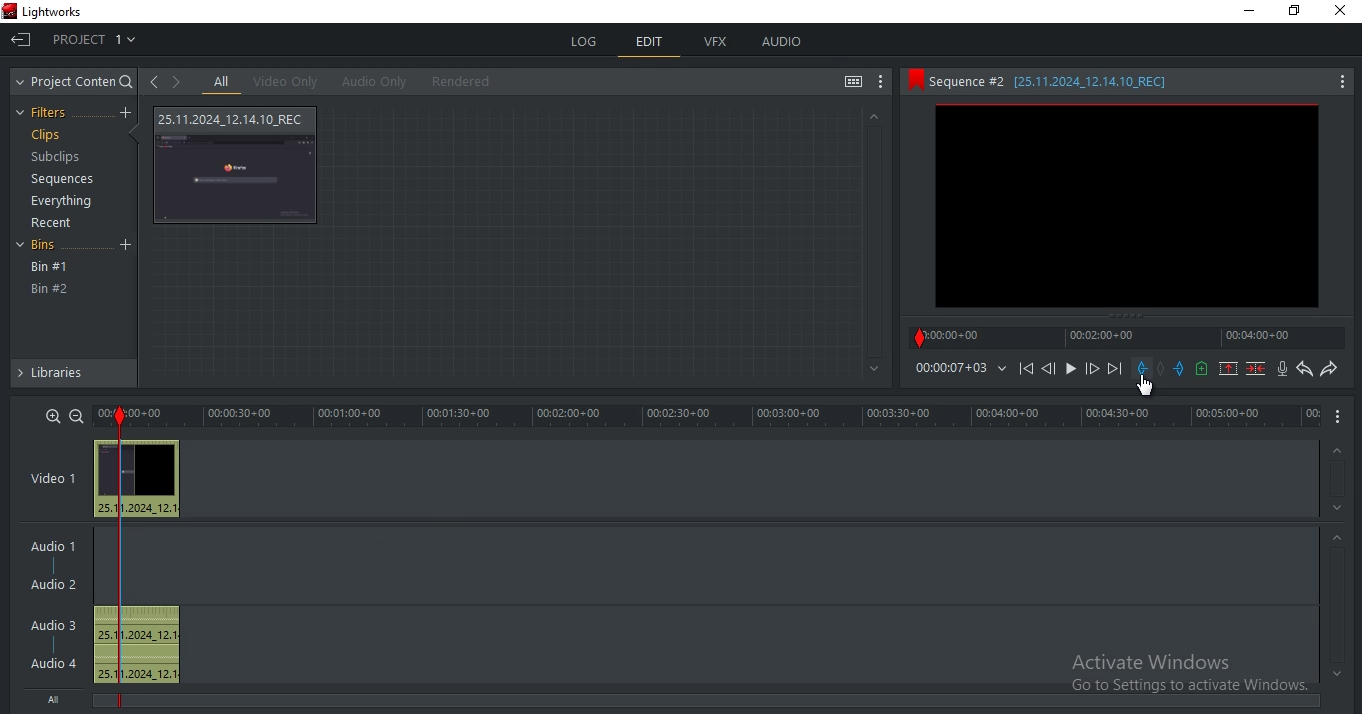 The height and width of the screenshot is (714, 1362). What do you see at coordinates (1256, 369) in the screenshot?
I see `delete marked section` at bounding box center [1256, 369].